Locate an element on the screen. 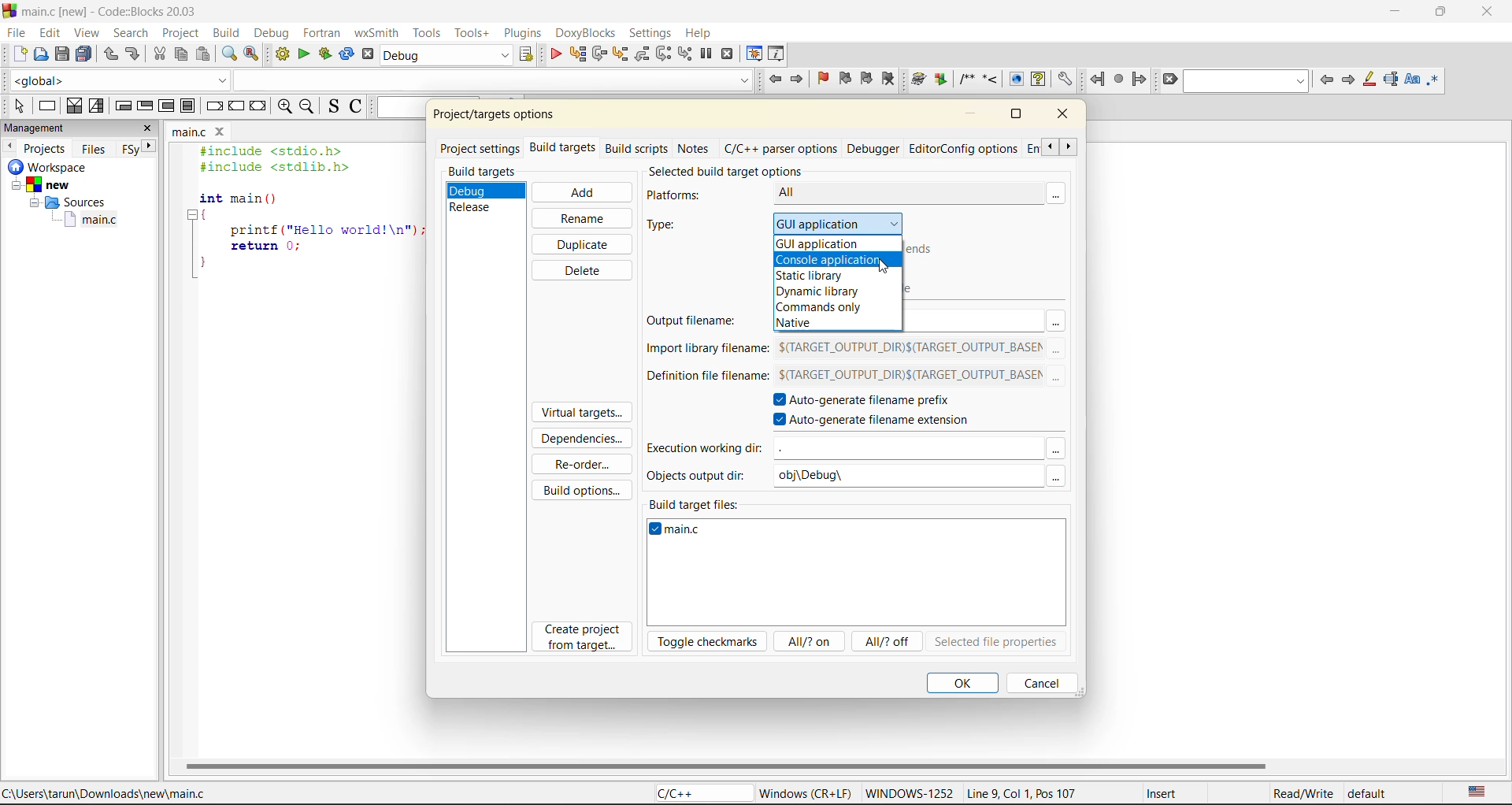  objects output dir is located at coordinates (702, 475).